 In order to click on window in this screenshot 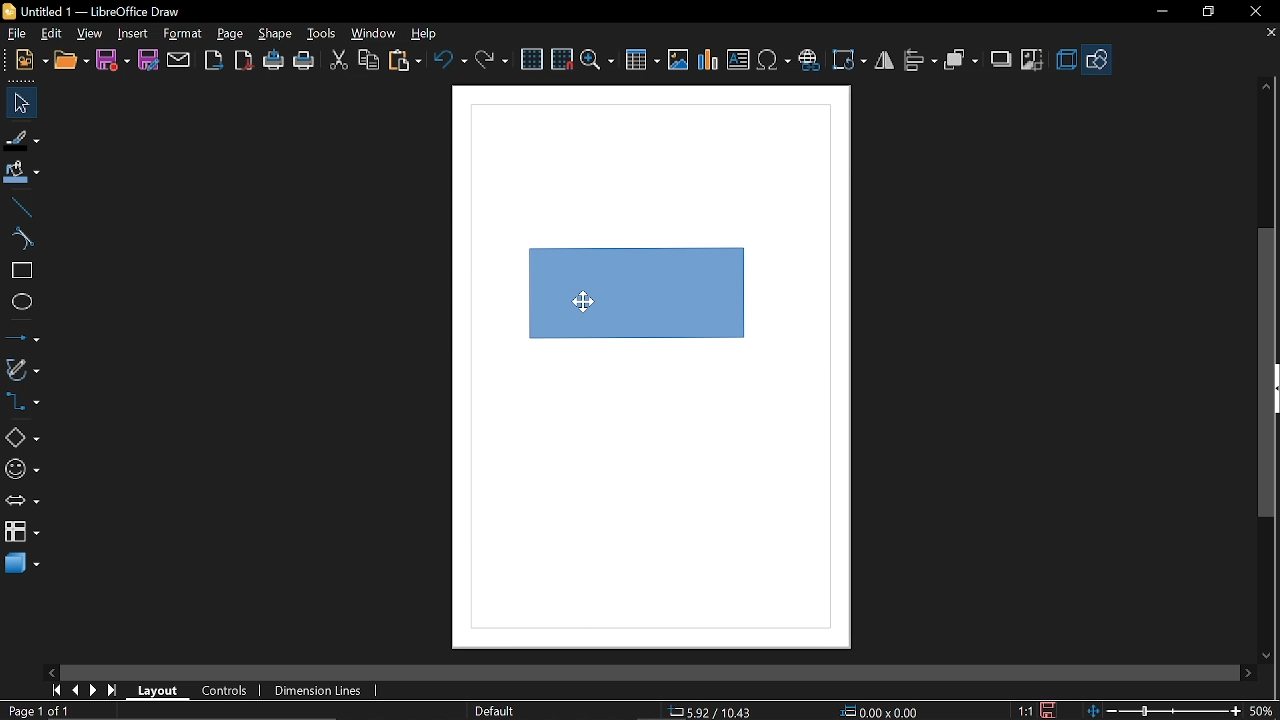, I will do `click(374, 36)`.